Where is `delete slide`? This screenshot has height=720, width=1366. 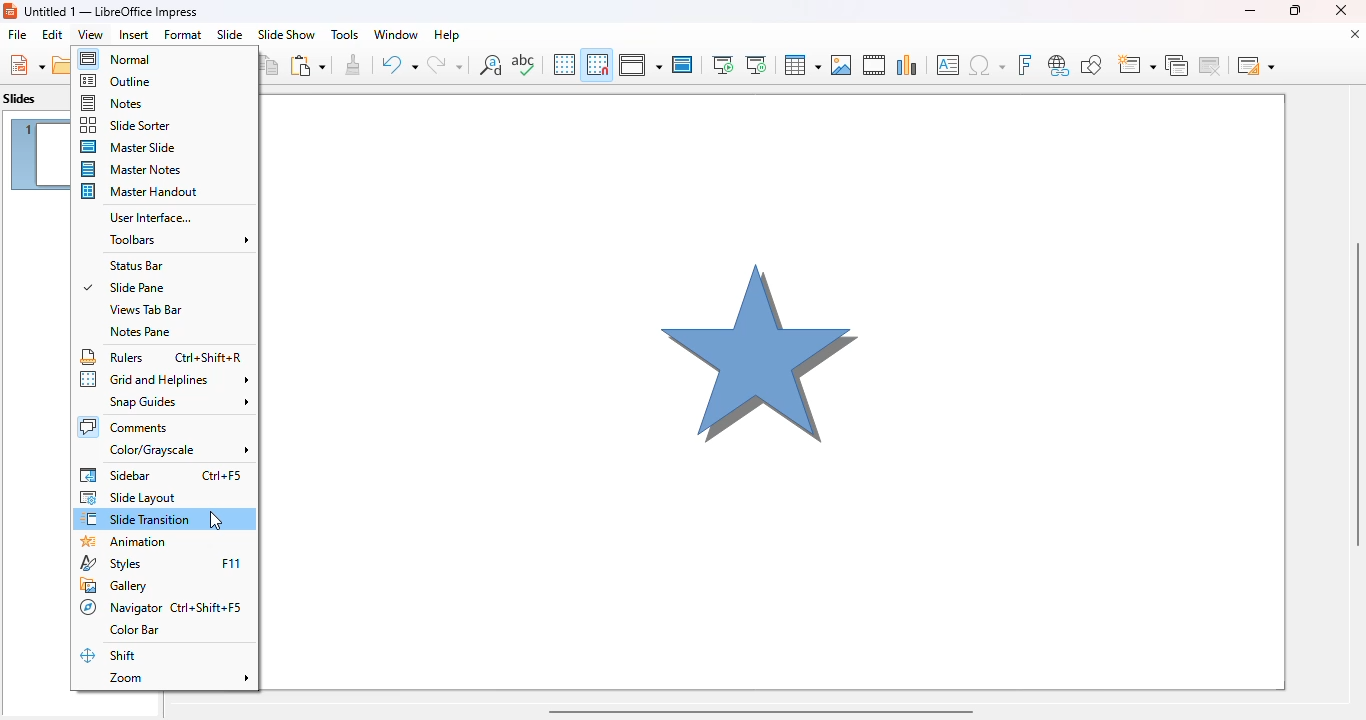
delete slide is located at coordinates (1211, 65).